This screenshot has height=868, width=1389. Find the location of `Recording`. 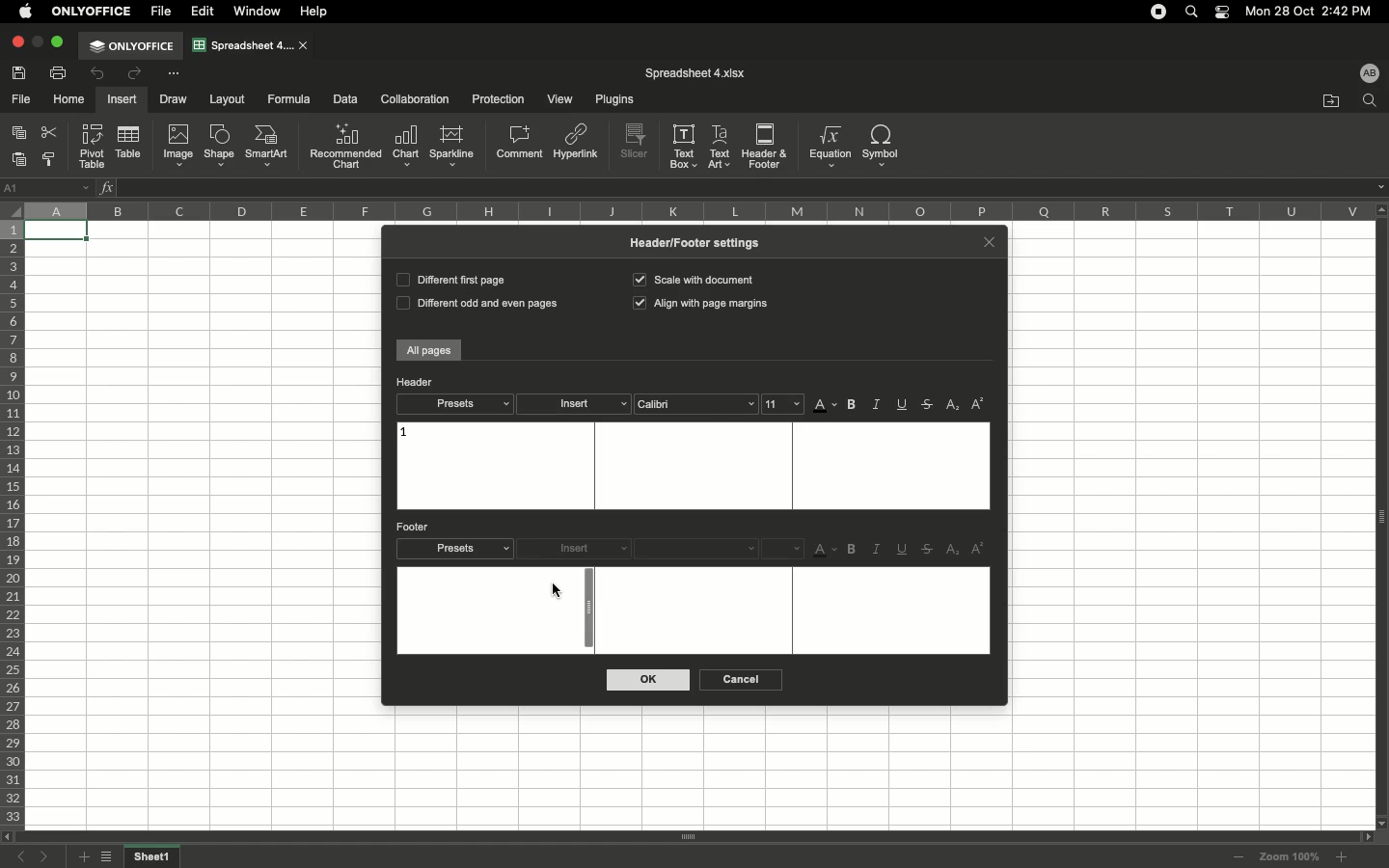

Recording is located at coordinates (1158, 12).